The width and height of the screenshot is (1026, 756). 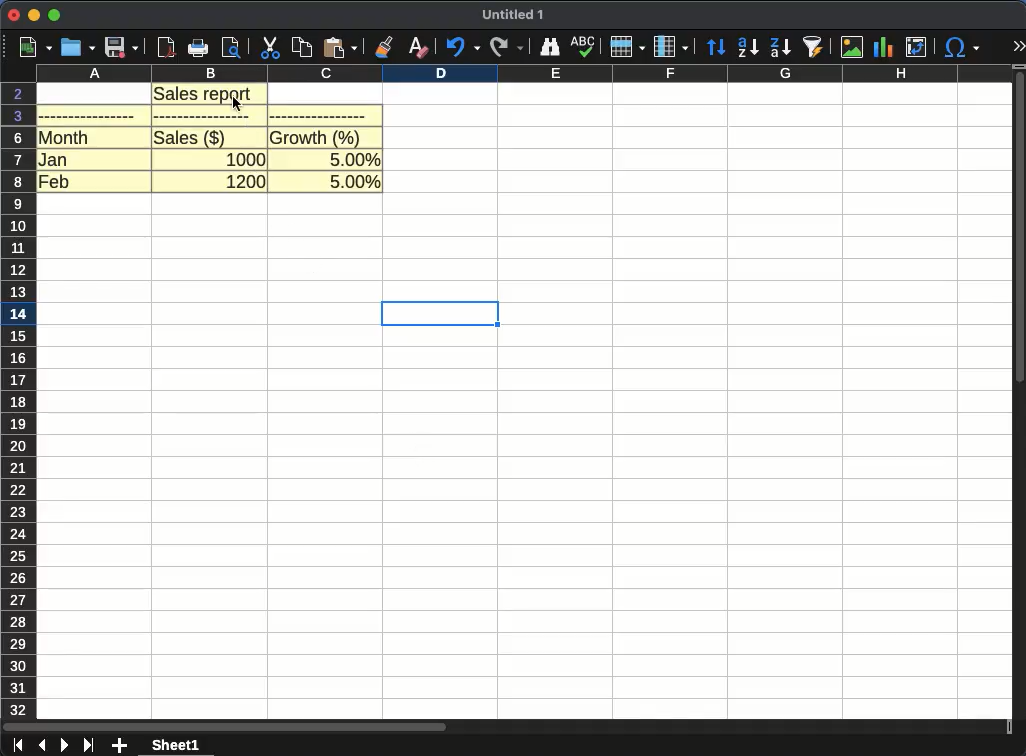 What do you see at coordinates (671, 47) in the screenshot?
I see `column` at bounding box center [671, 47].